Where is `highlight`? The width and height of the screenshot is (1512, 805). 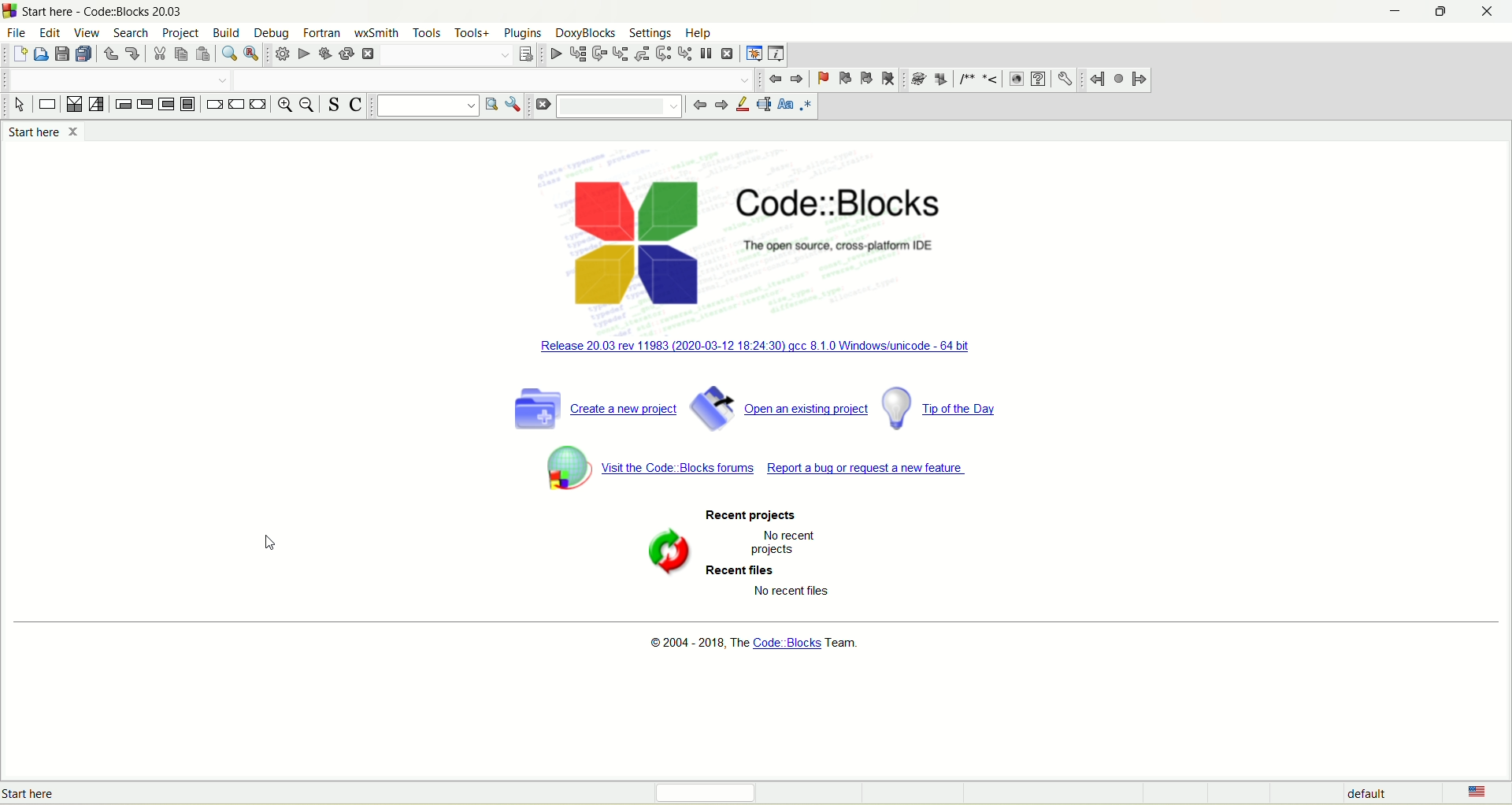 highlight is located at coordinates (743, 106).